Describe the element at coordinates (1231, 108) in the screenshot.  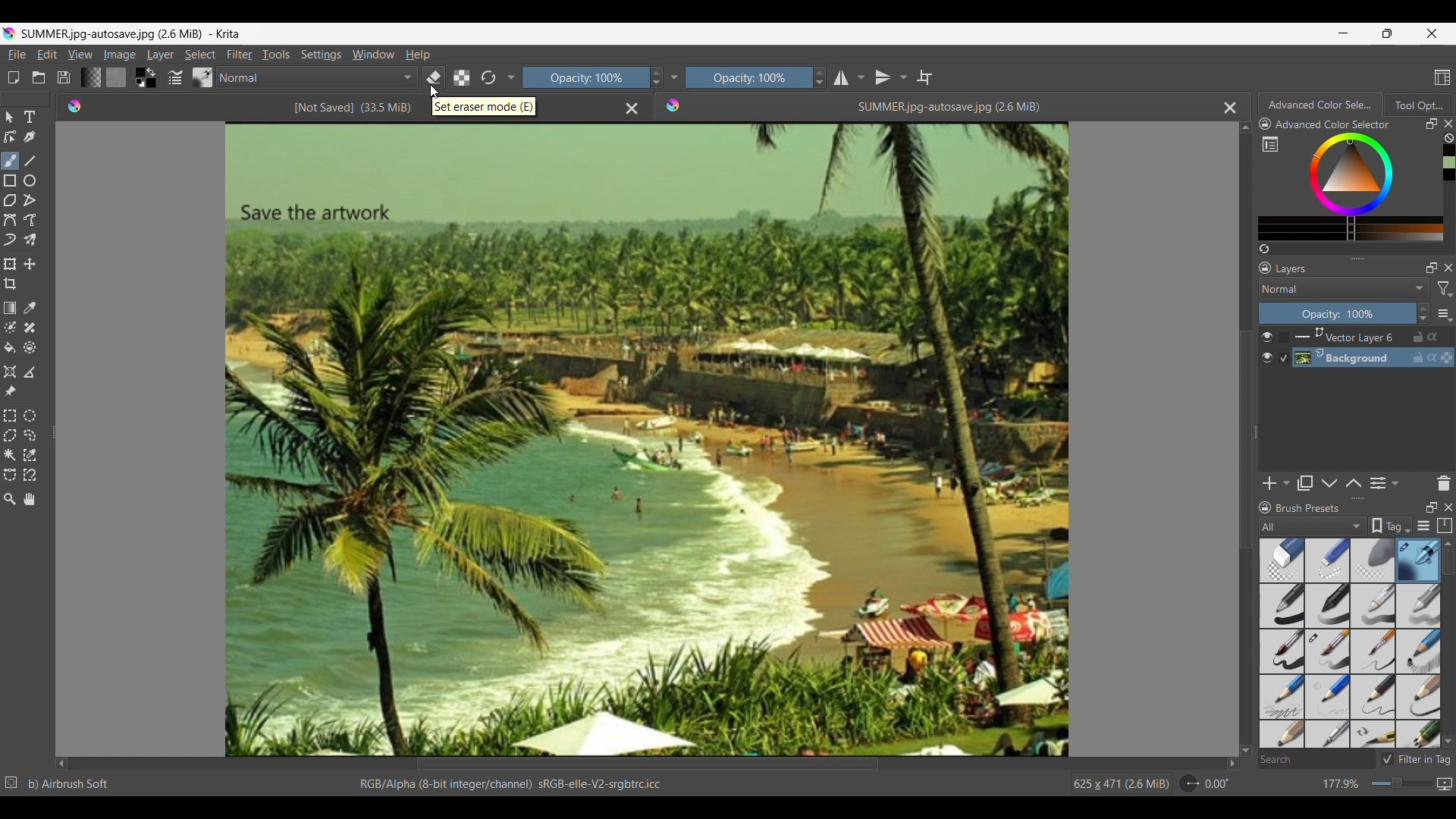
I see `Close current file` at that location.